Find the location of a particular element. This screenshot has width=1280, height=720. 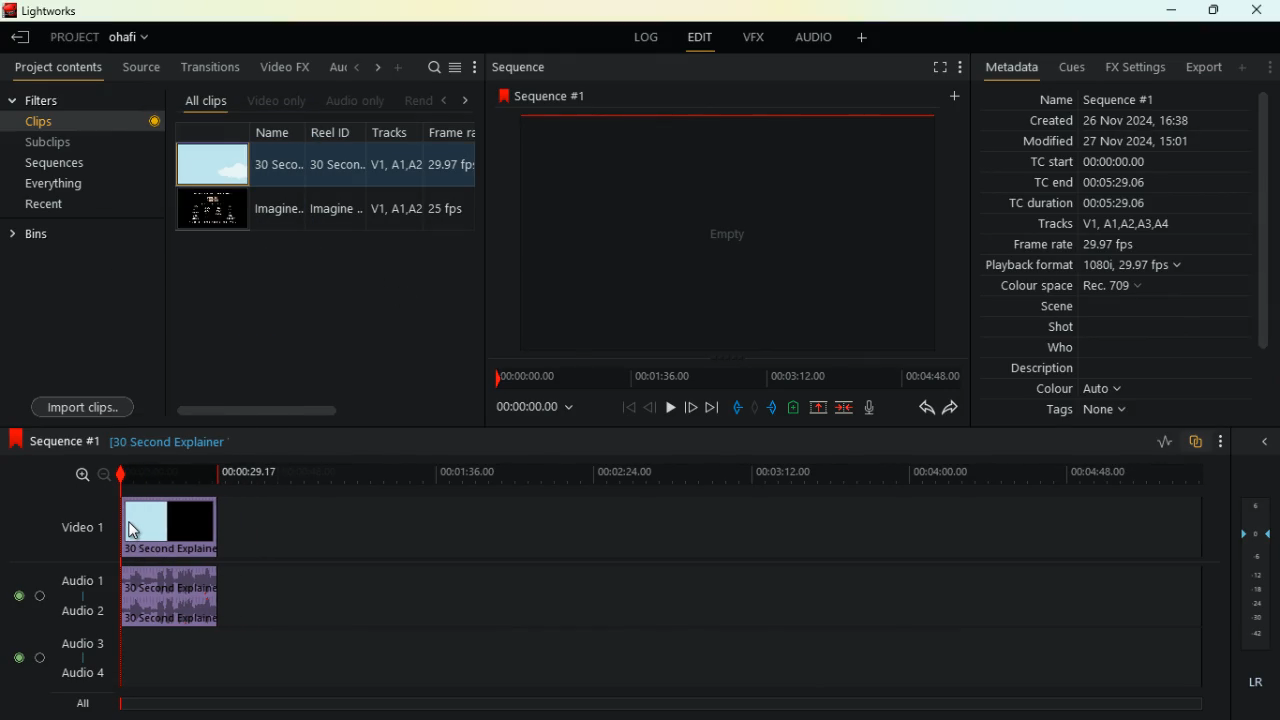

sequence is located at coordinates (548, 97).